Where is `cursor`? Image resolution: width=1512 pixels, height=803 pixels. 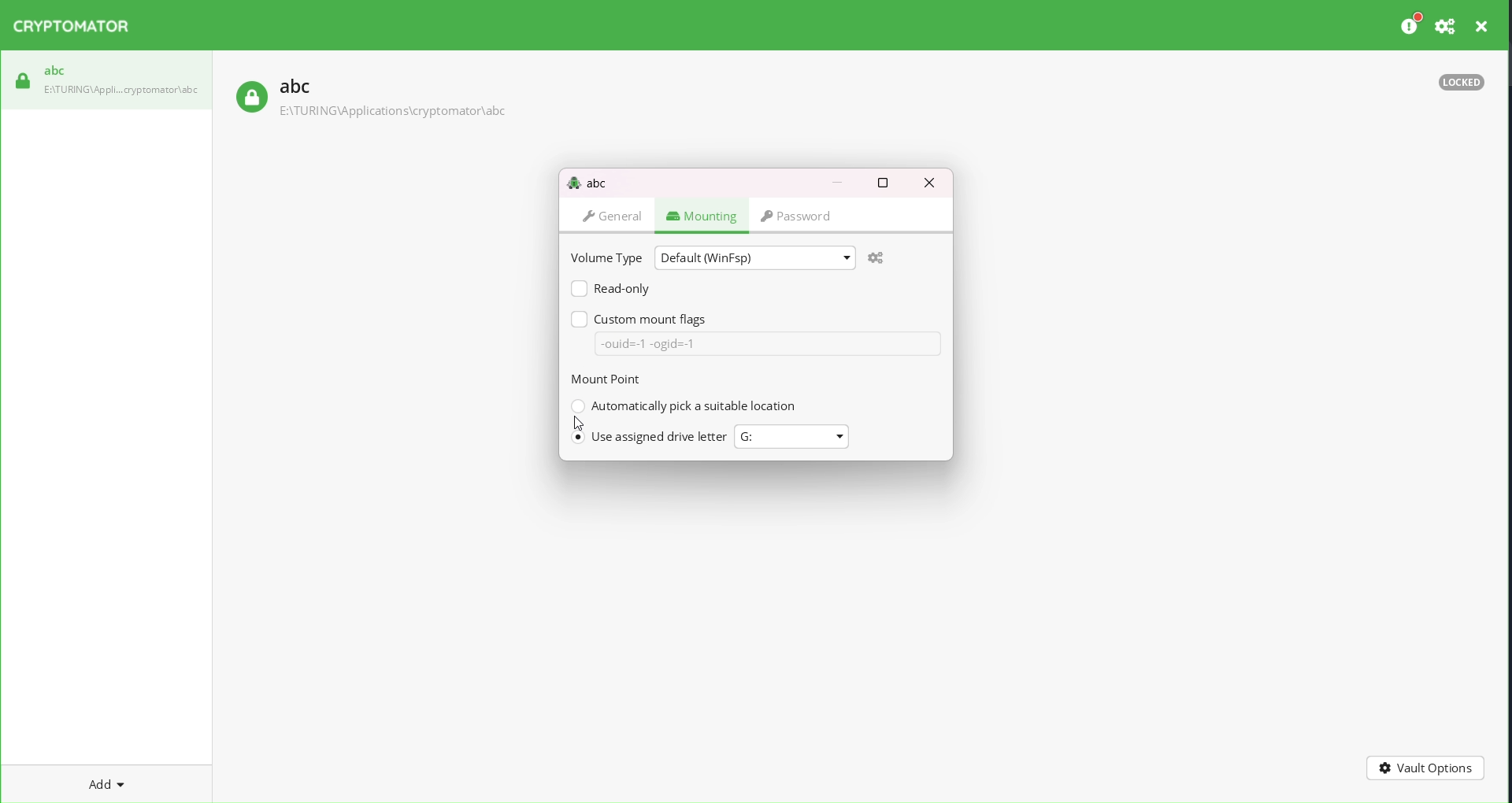 cursor is located at coordinates (578, 424).